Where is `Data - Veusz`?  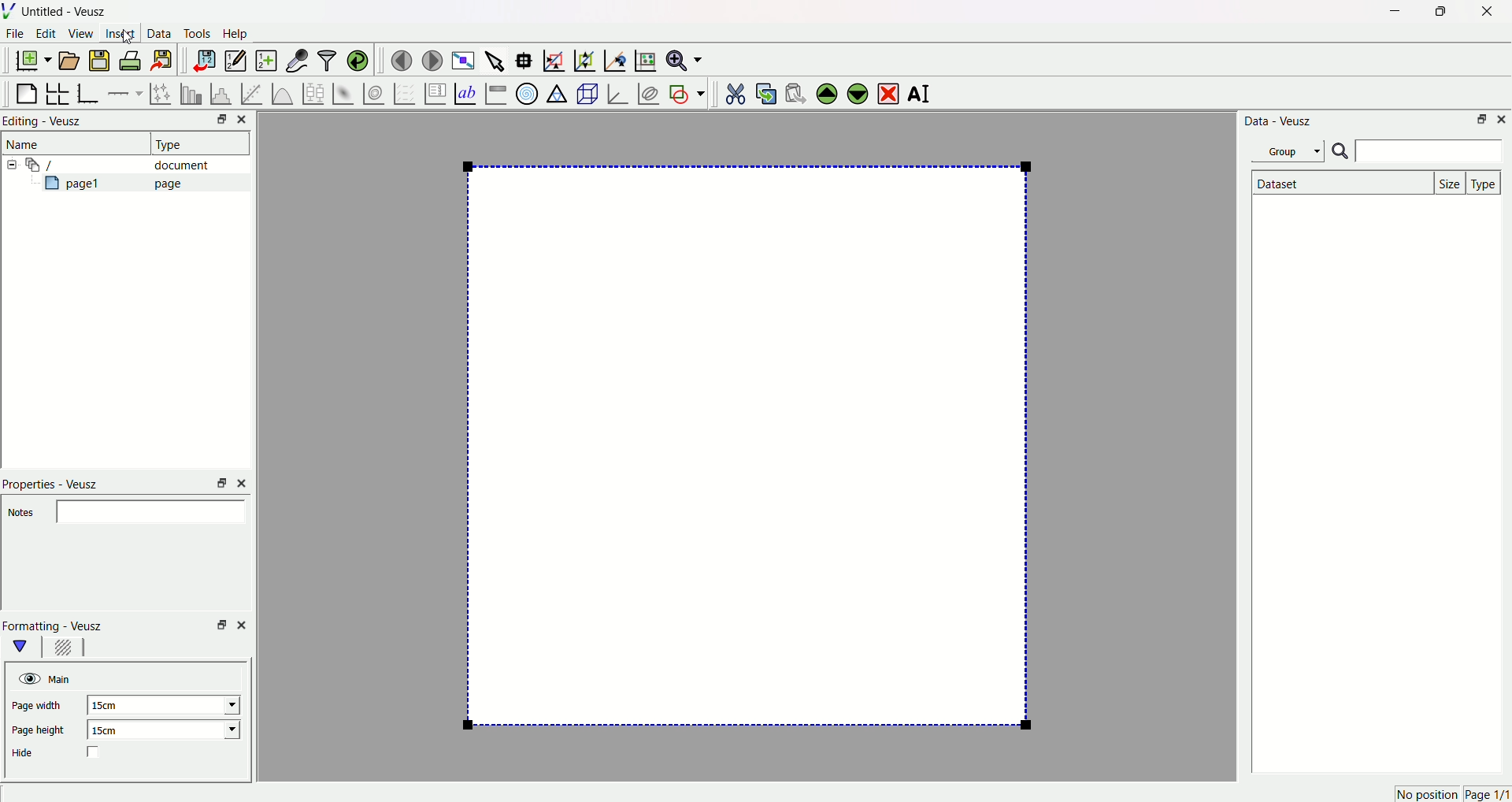 Data - Veusz is located at coordinates (1280, 122).